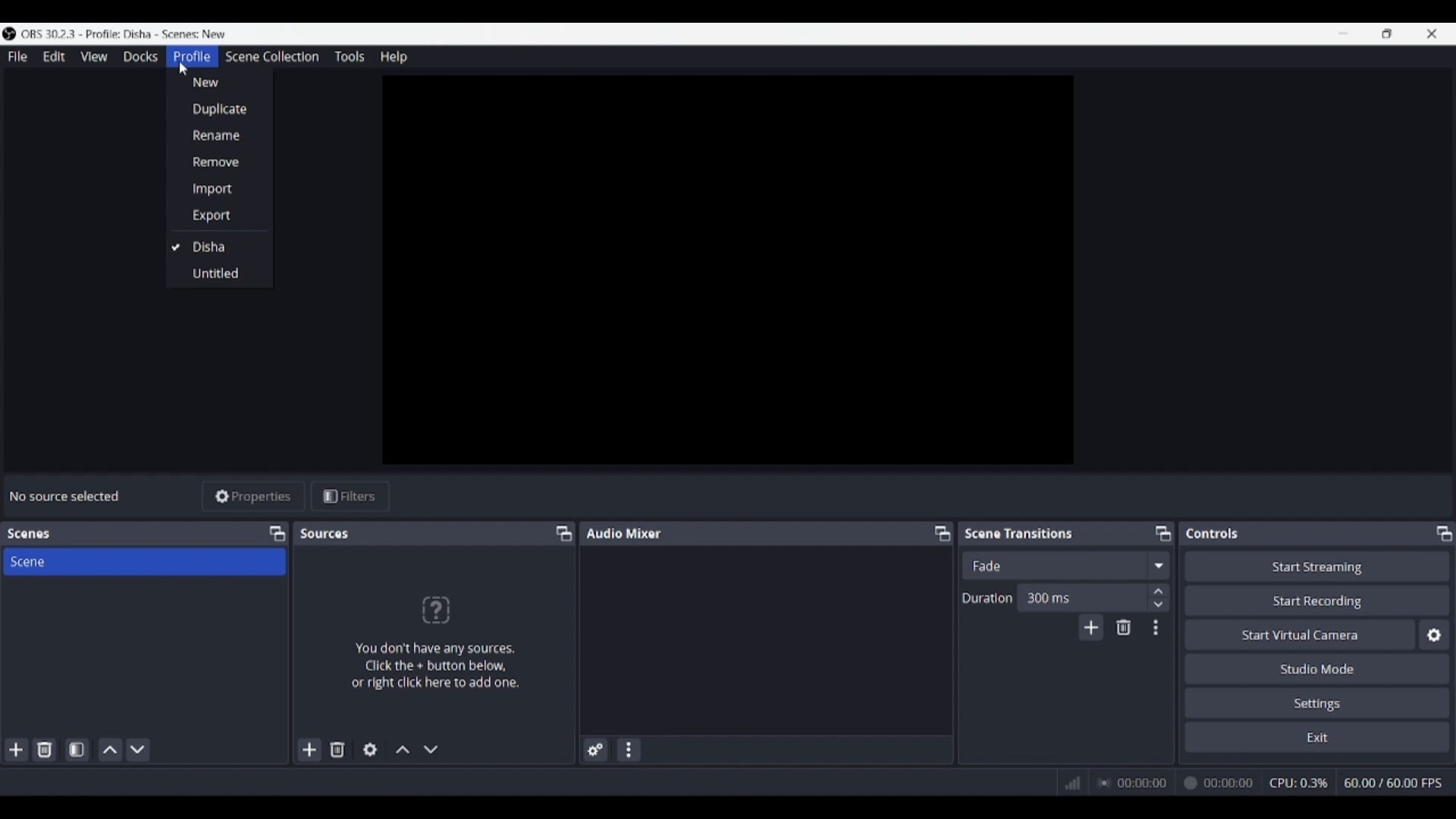 This screenshot has width=1456, height=819. Describe the element at coordinates (44, 749) in the screenshot. I see `Delete selected scene` at that location.